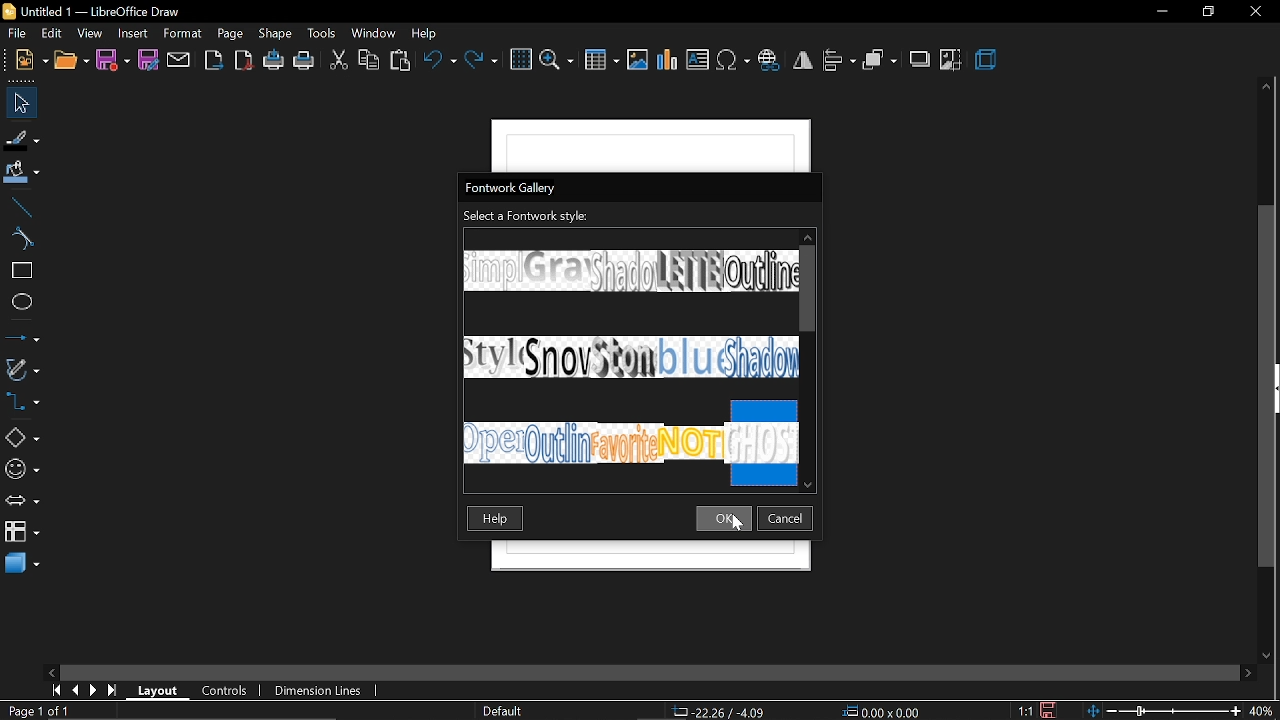 This screenshot has height=720, width=1280. I want to click on open, so click(71, 60).